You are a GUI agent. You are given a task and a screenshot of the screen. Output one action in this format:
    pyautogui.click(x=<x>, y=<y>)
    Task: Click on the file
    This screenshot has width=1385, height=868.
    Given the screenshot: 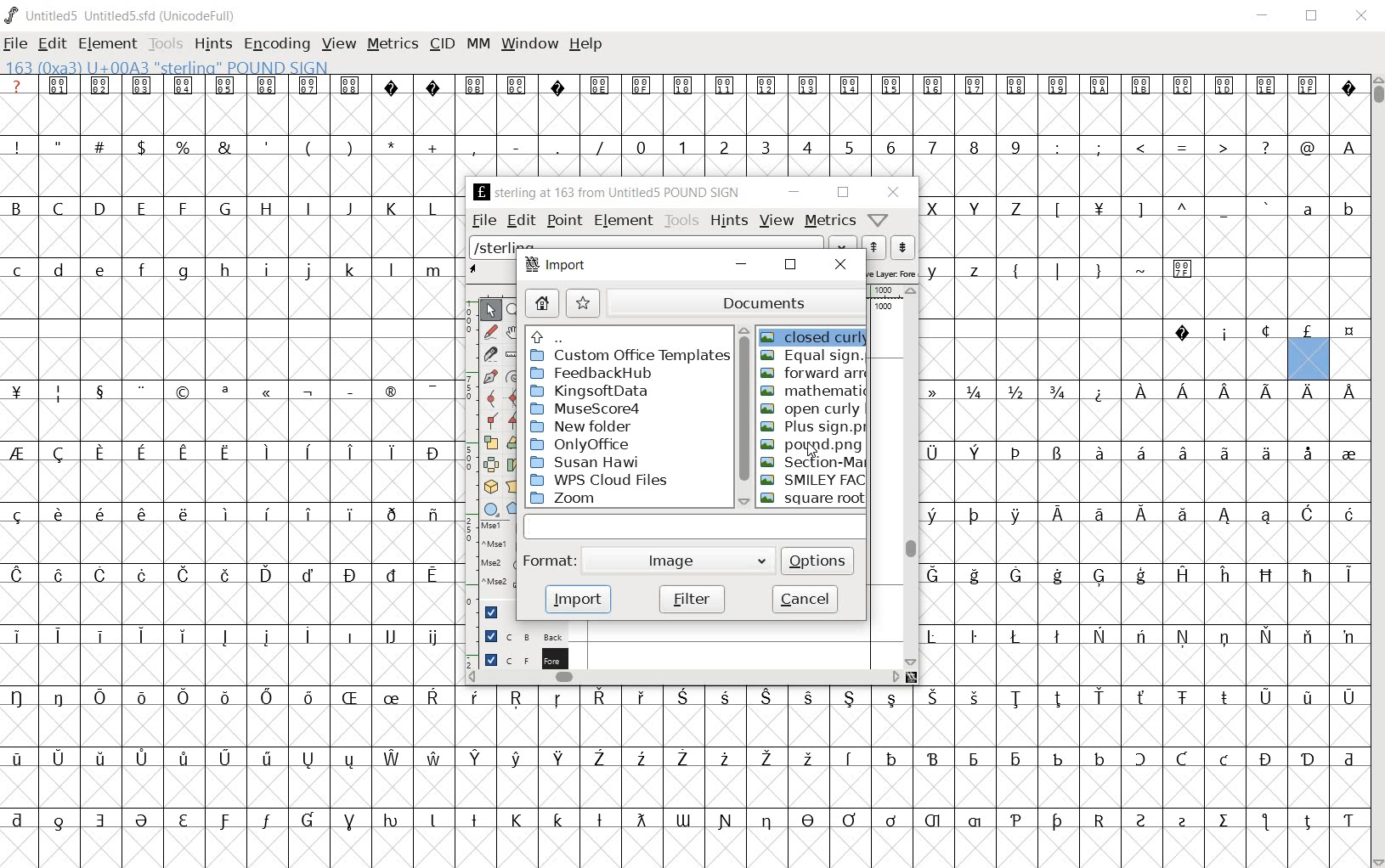 What is the action you would take?
    pyautogui.click(x=483, y=220)
    